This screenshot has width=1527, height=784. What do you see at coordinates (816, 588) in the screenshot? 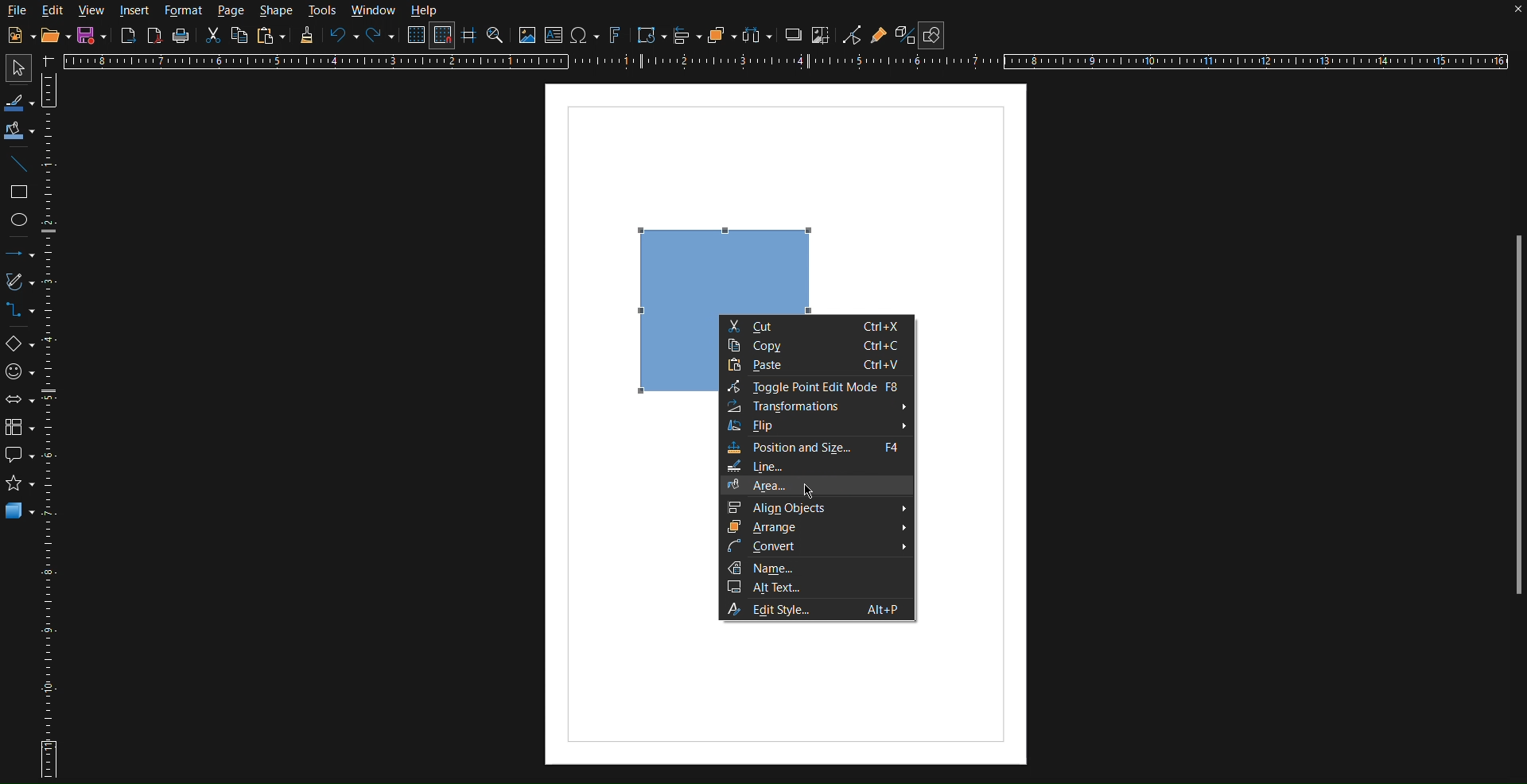
I see `Alt Text` at bounding box center [816, 588].